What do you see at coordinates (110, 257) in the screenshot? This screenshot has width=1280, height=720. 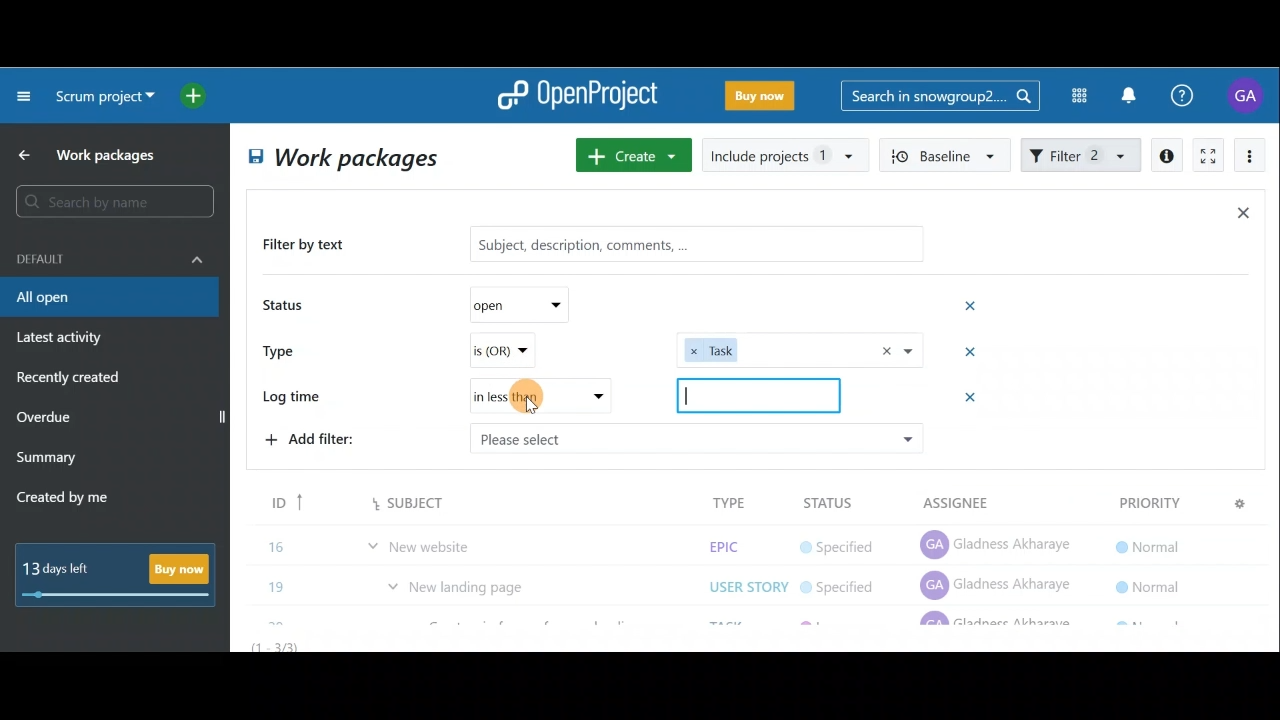 I see `Default` at bounding box center [110, 257].